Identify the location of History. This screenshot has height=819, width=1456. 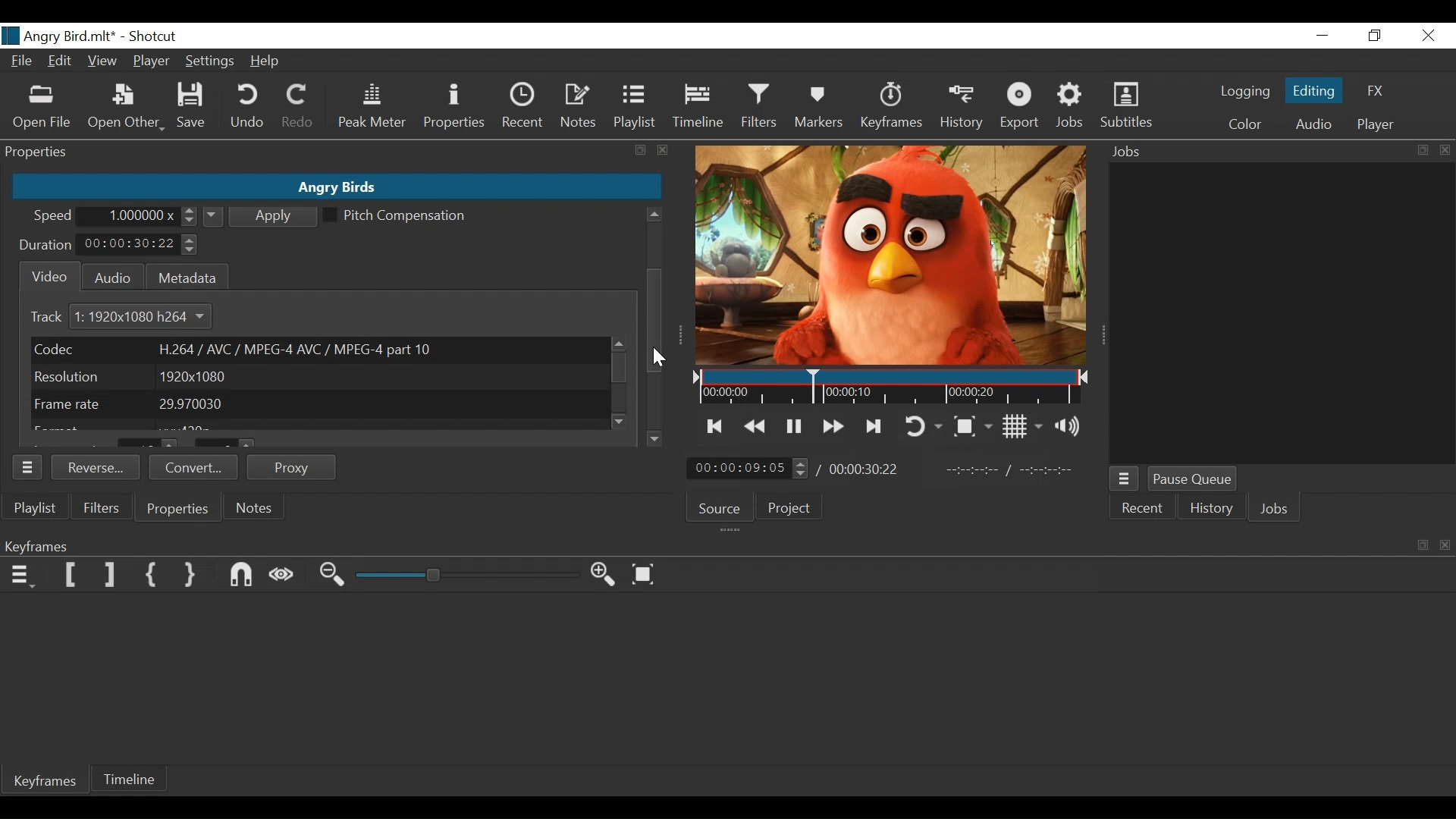
(961, 108).